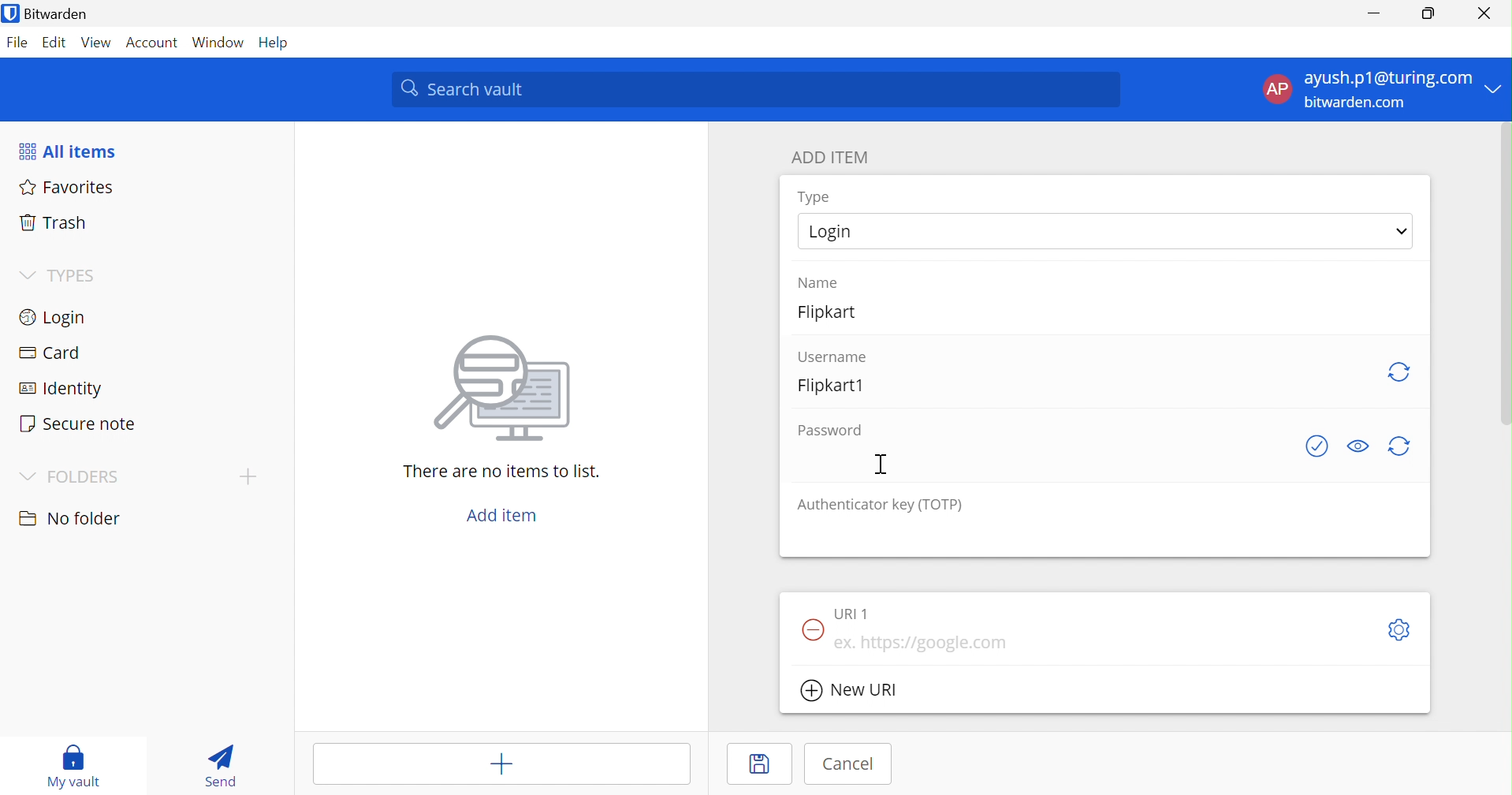  Describe the element at coordinates (70, 151) in the screenshot. I see `All items` at that location.